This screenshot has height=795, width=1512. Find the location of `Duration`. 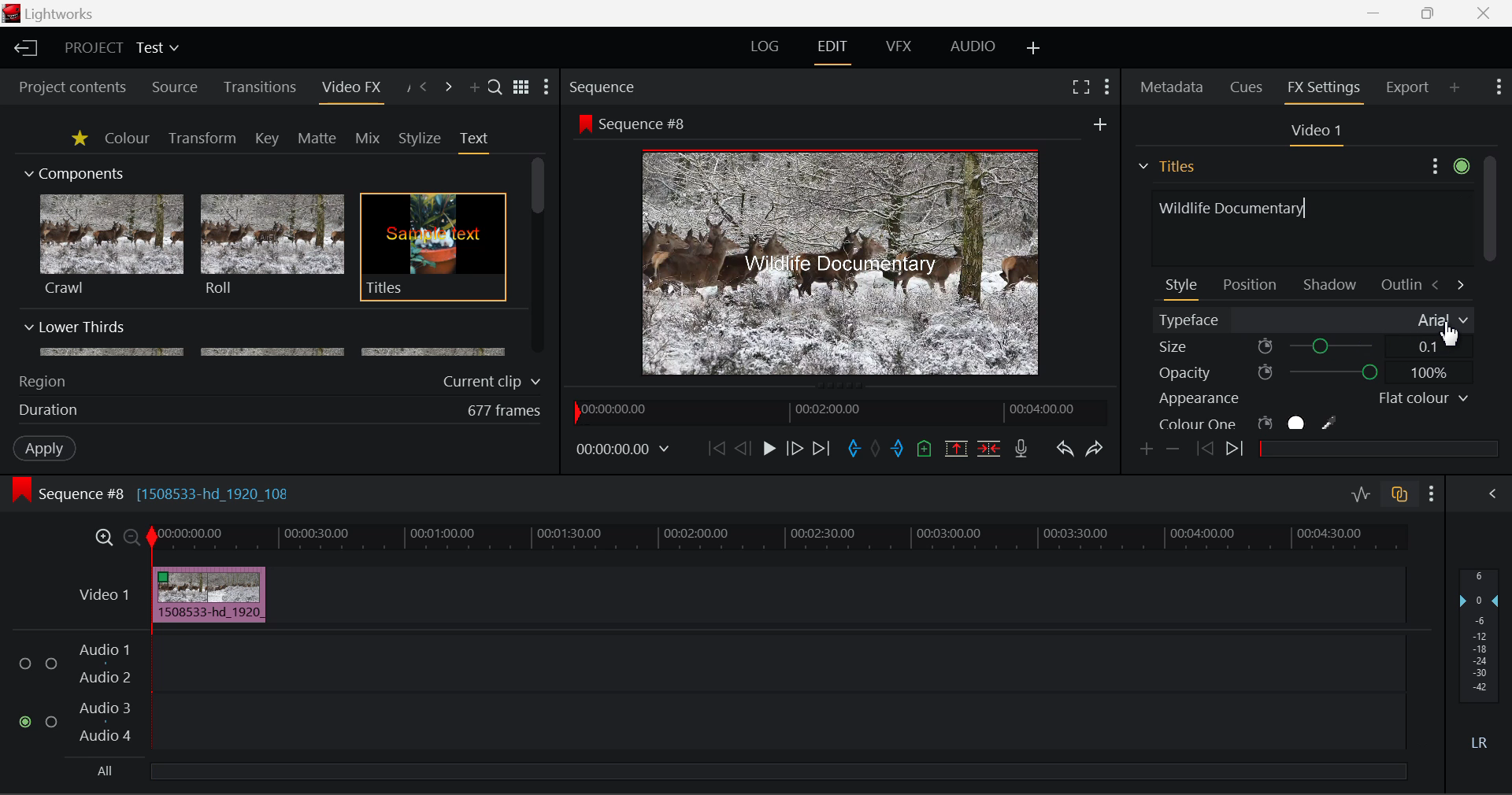

Duration is located at coordinates (50, 411).